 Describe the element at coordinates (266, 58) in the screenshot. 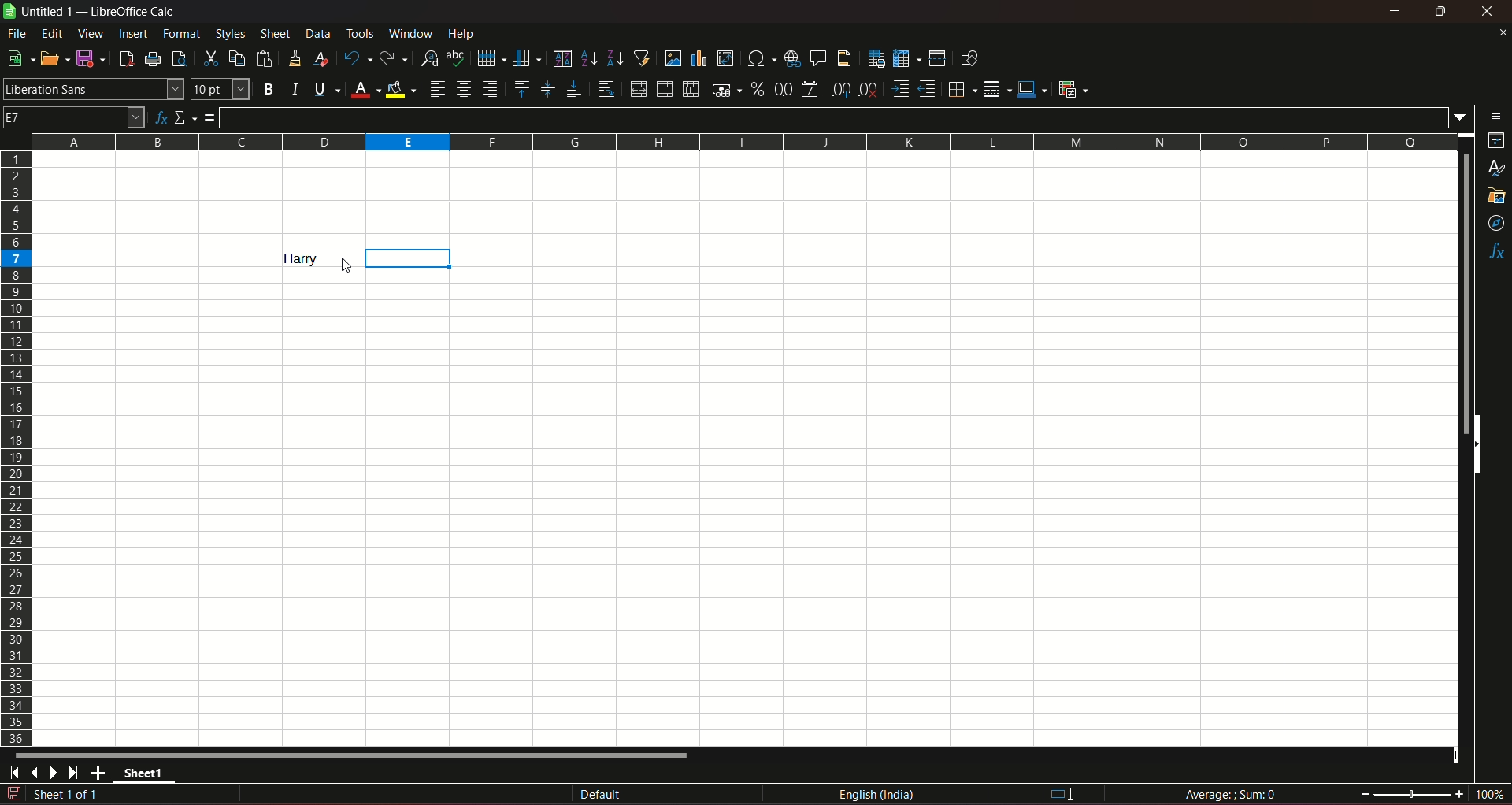

I see `paste` at that location.